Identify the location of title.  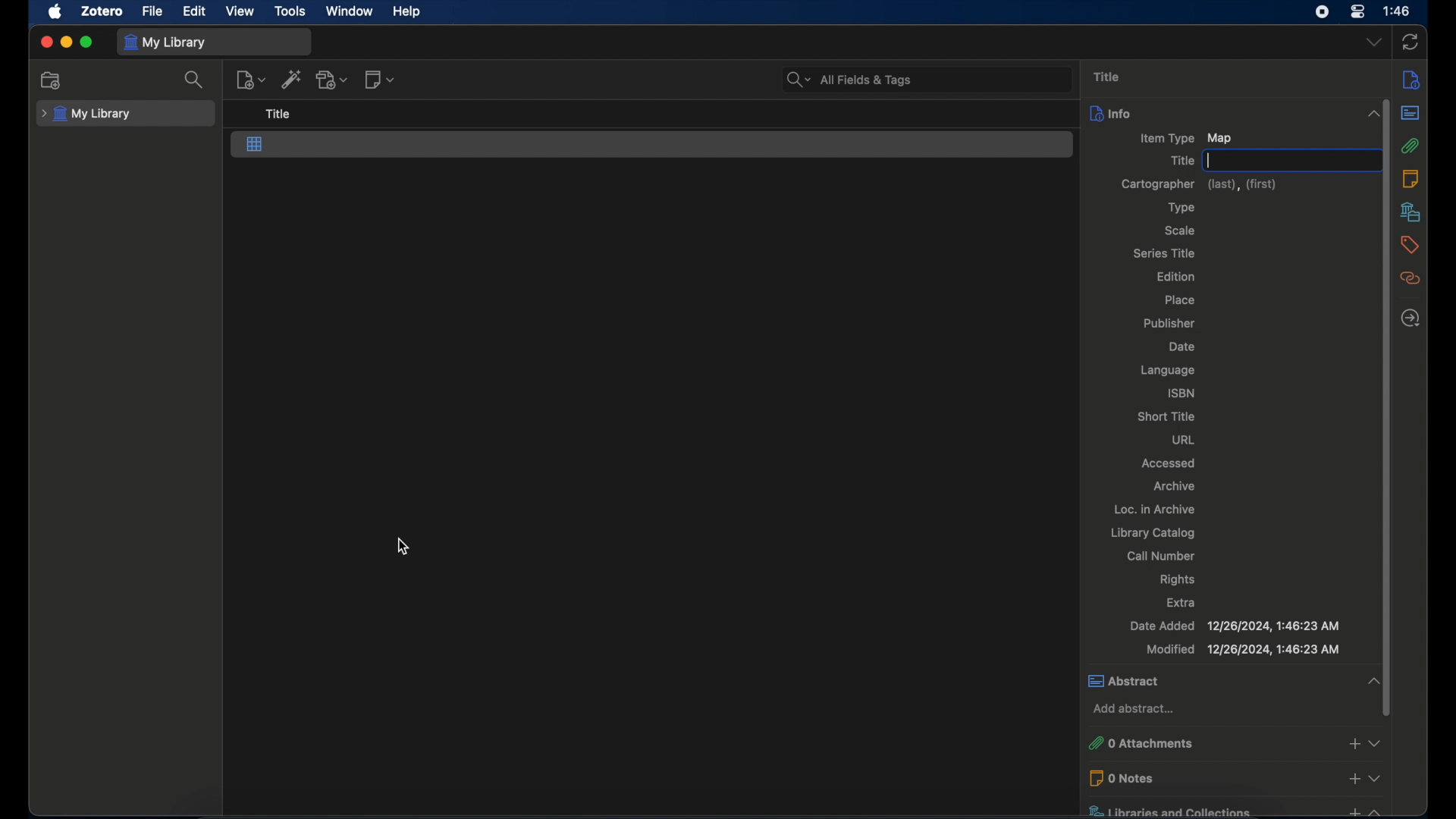
(1107, 76).